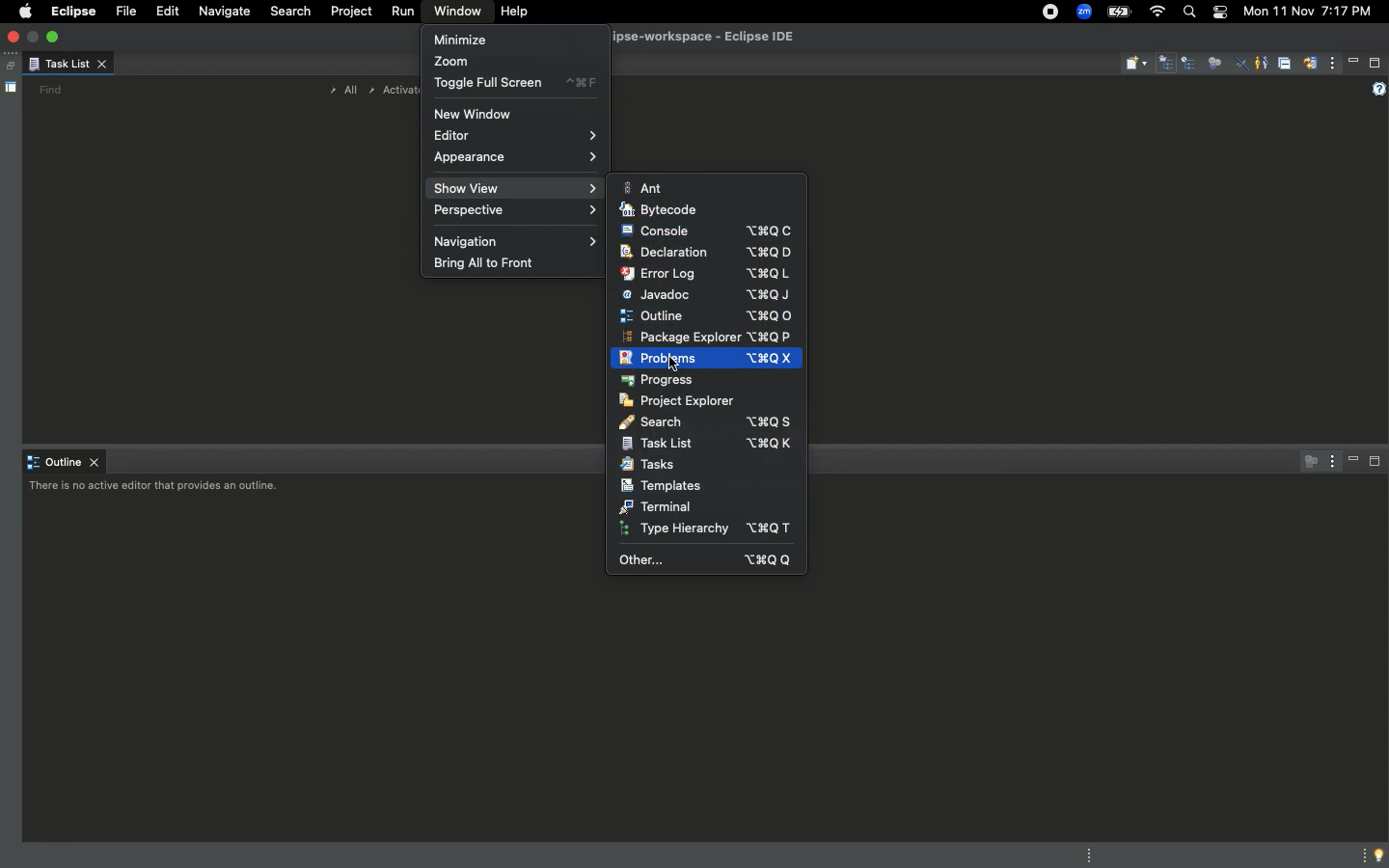 This screenshot has height=868, width=1389. Describe the element at coordinates (716, 274) in the screenshot. I see `Error log` at that location.